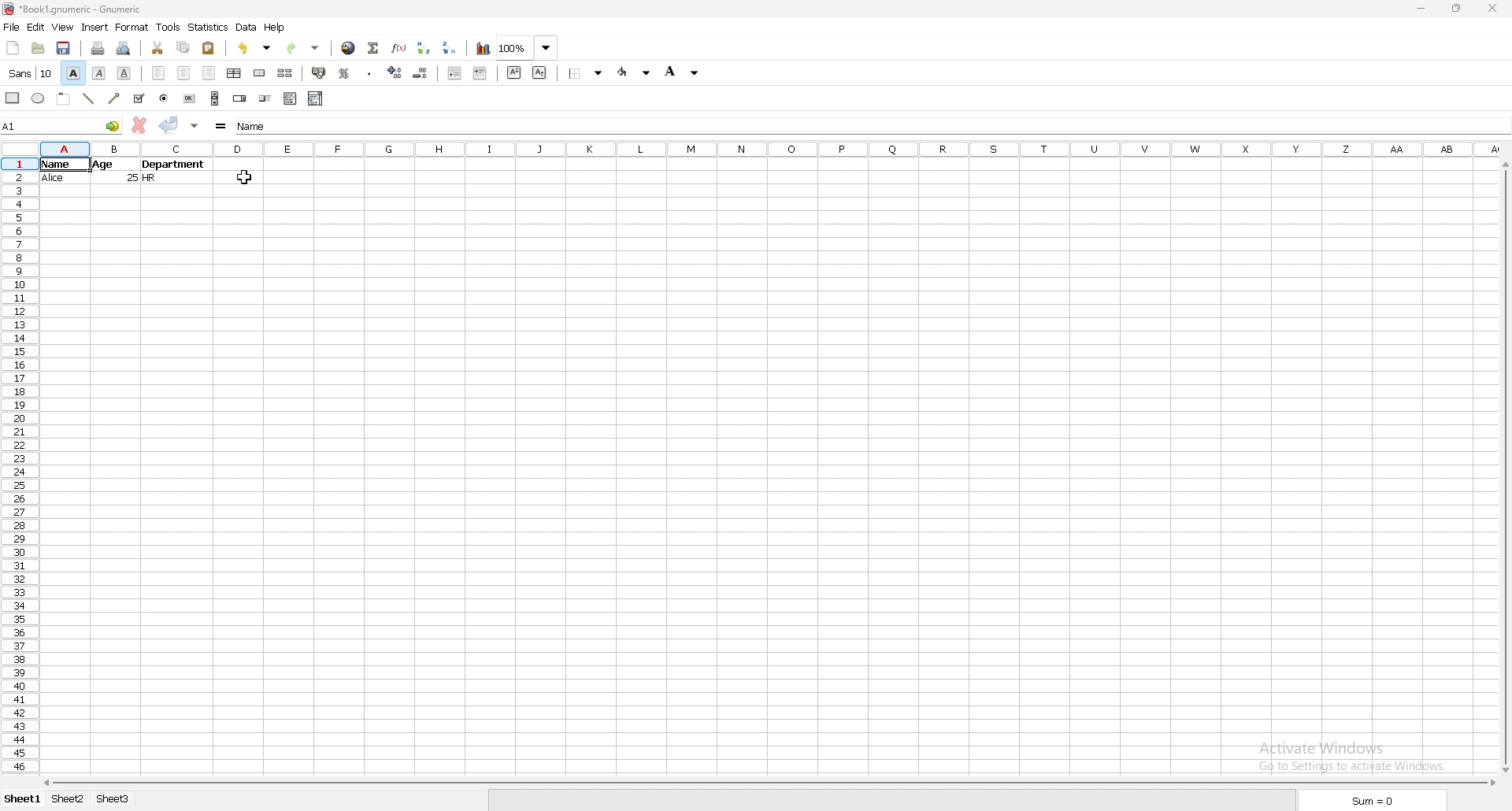 The width and height of the screenshot is (1512, 811). What do you see at coordinates (99, 73) in the screenshot?
I see `italic` at bounding box center [99, 73].